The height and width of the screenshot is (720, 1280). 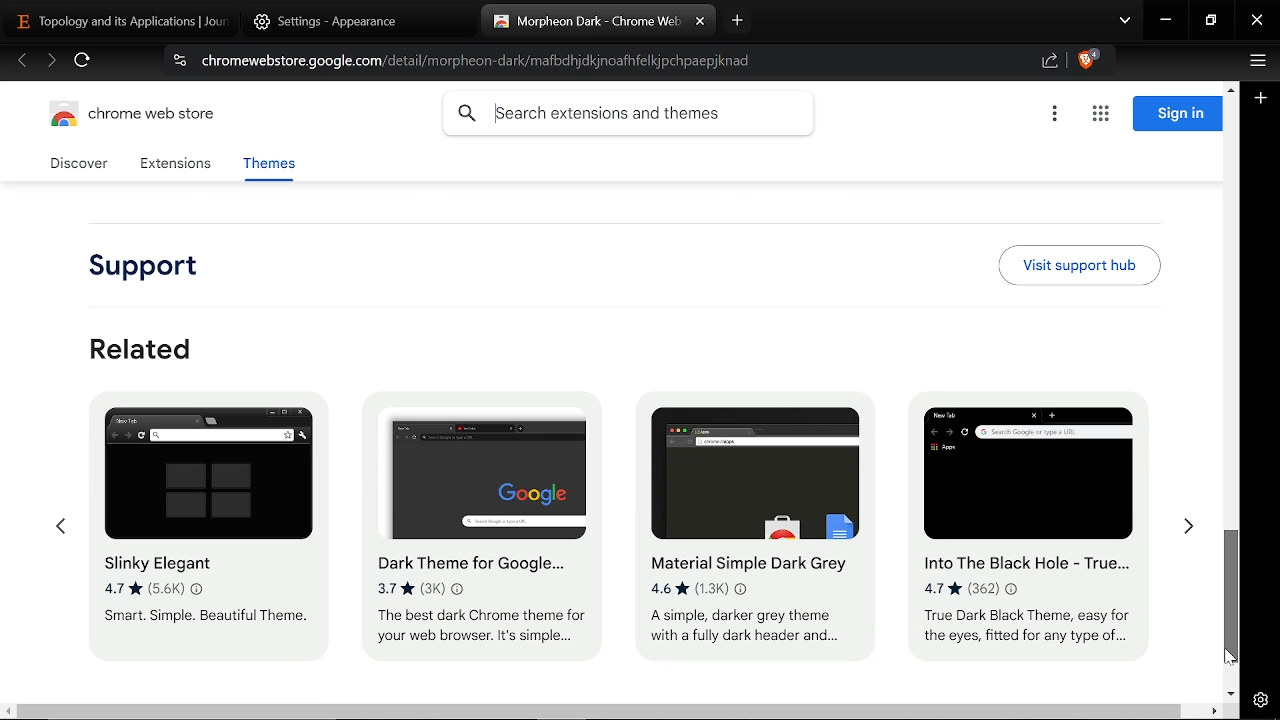 I want to click on Material Simple Dark Grey theme, so click(x=747, y=520).